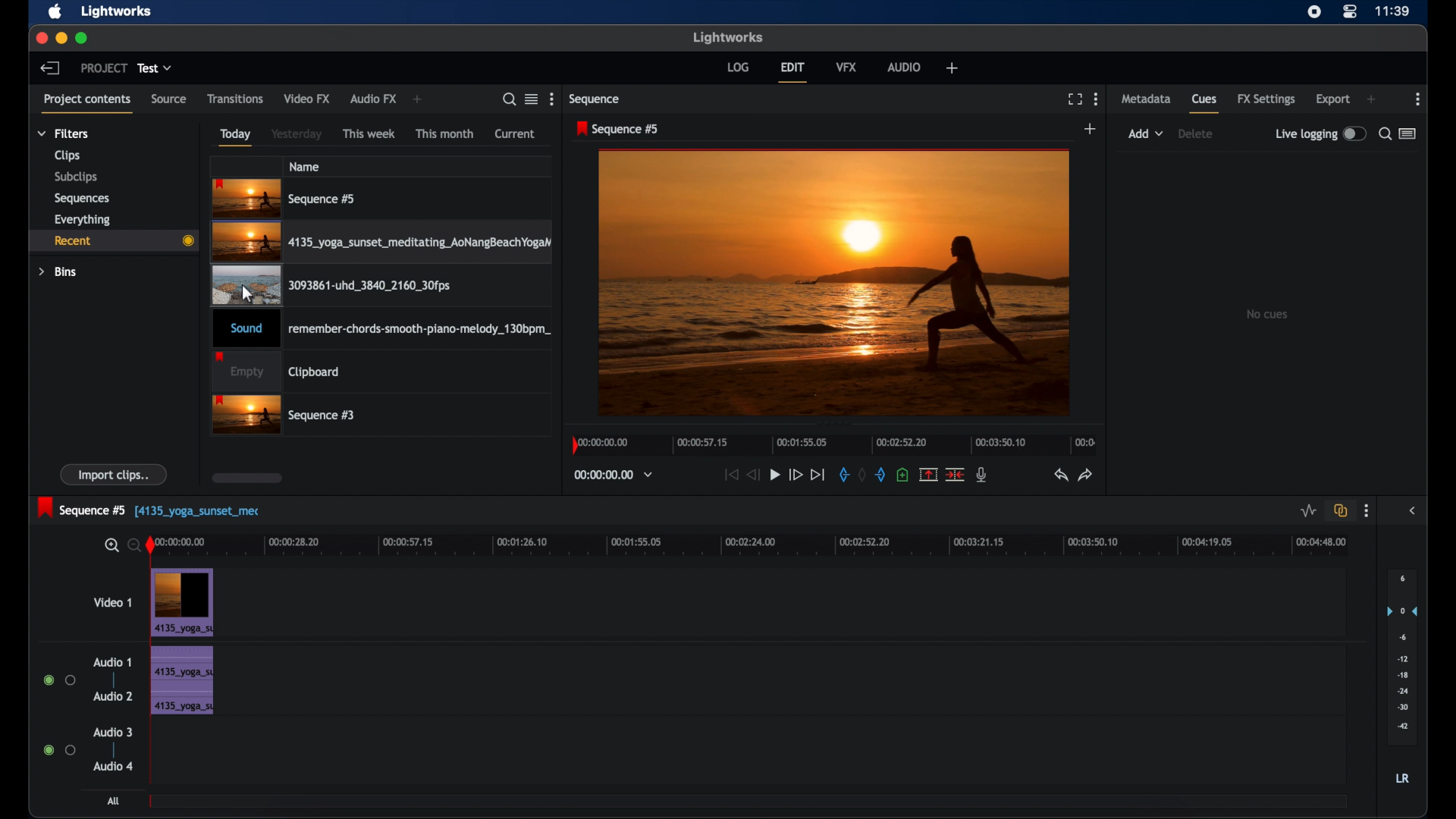 The image size is (1456, 819). I want to click on name, so click(306, 166).